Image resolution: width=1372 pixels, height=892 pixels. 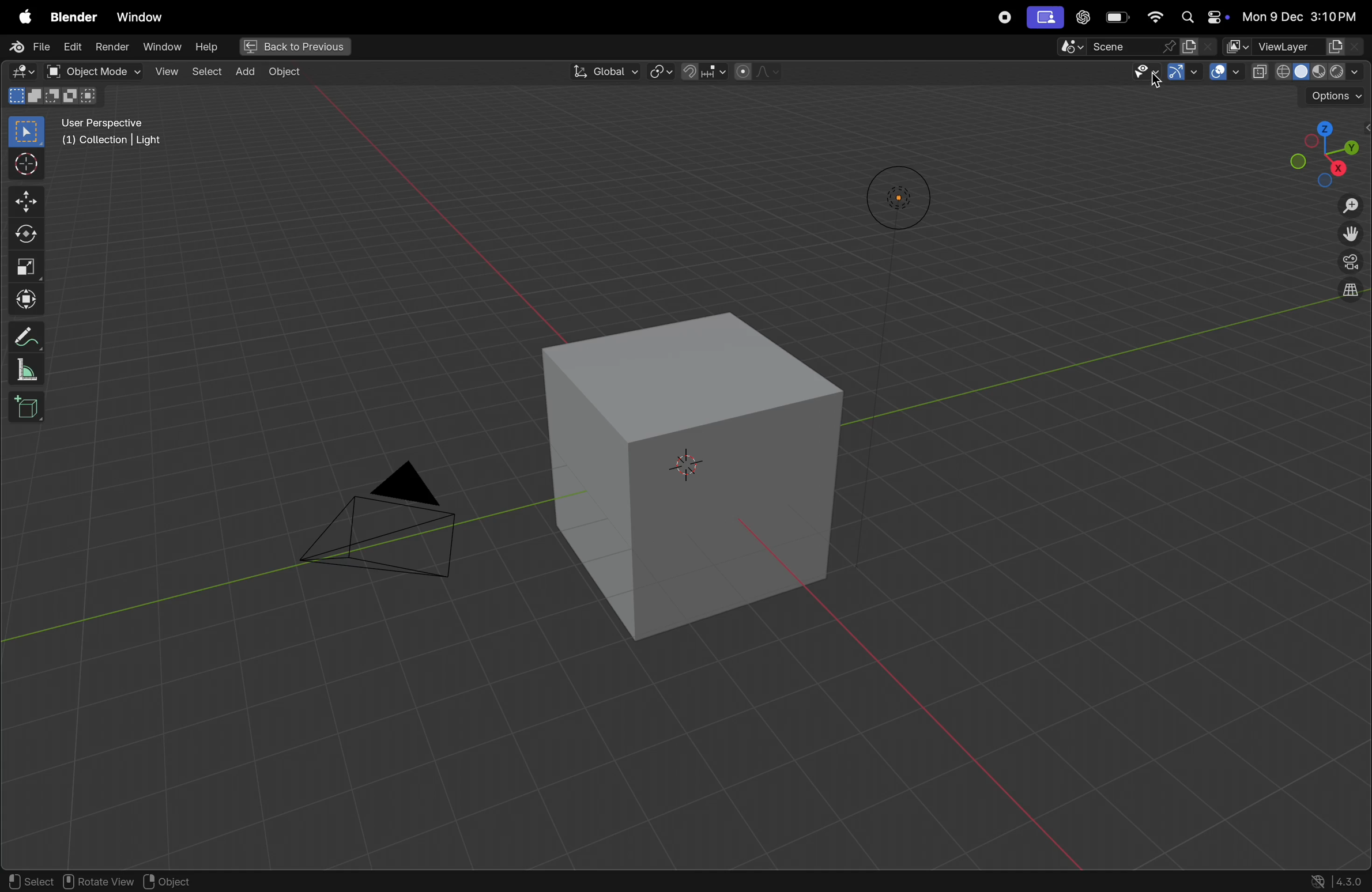 I want to click on view, so click(x=166, y=73).